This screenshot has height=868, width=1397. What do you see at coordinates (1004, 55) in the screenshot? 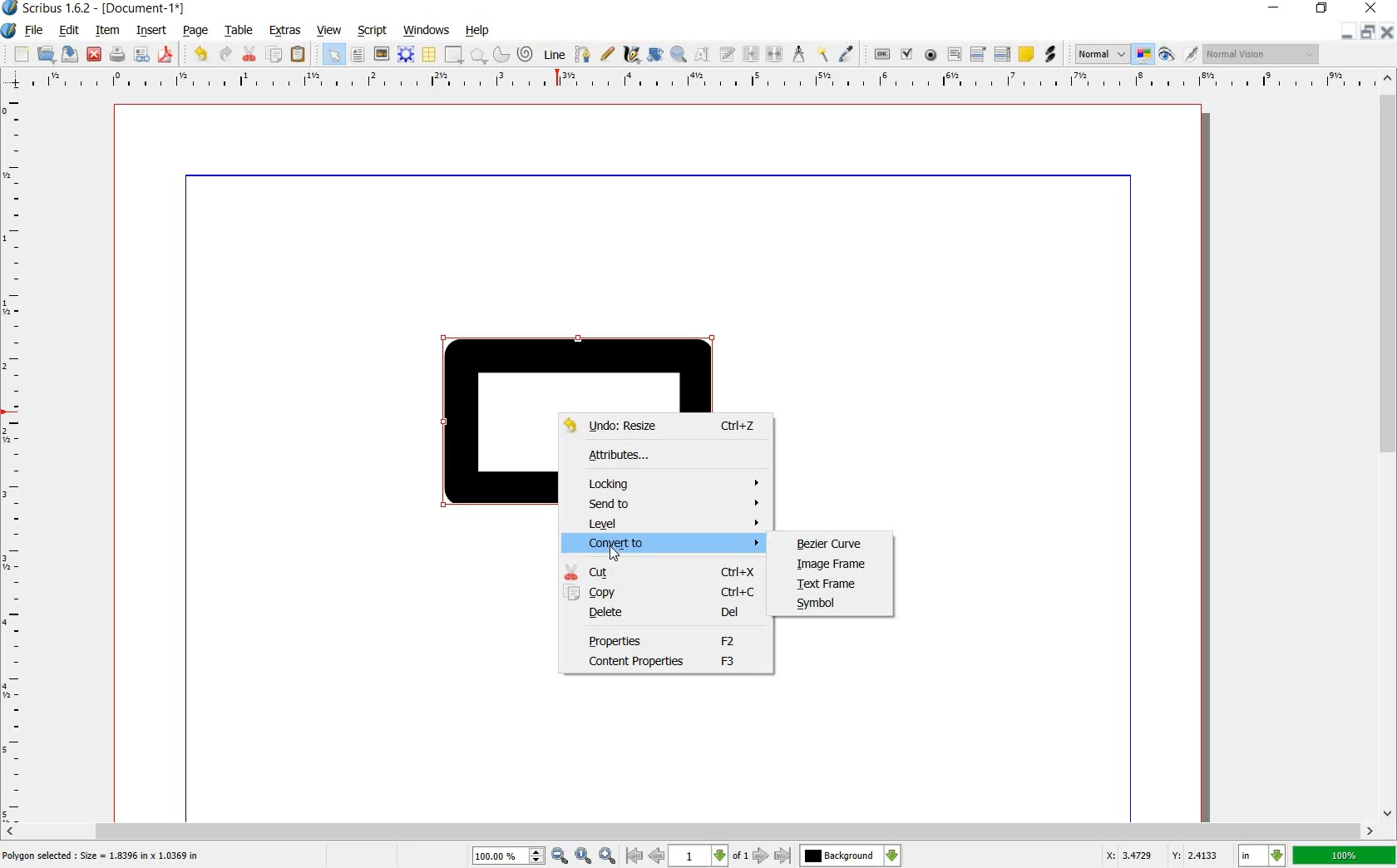
I see `pdf list box` at bounding box center [1004, 55].